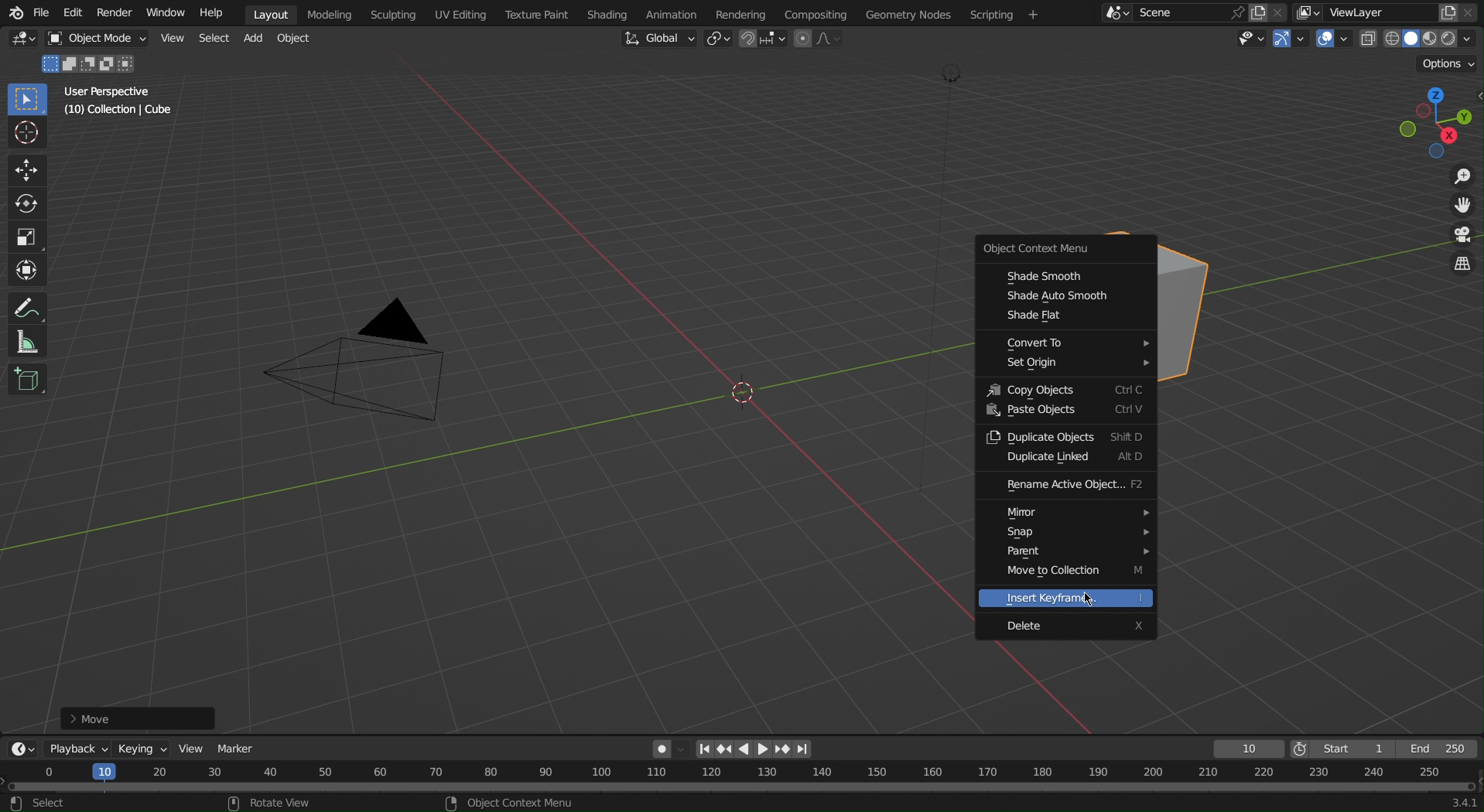 This screenshot has height=812, width=1484. I want to click on Insert Keyframe, so click(1065, 599).